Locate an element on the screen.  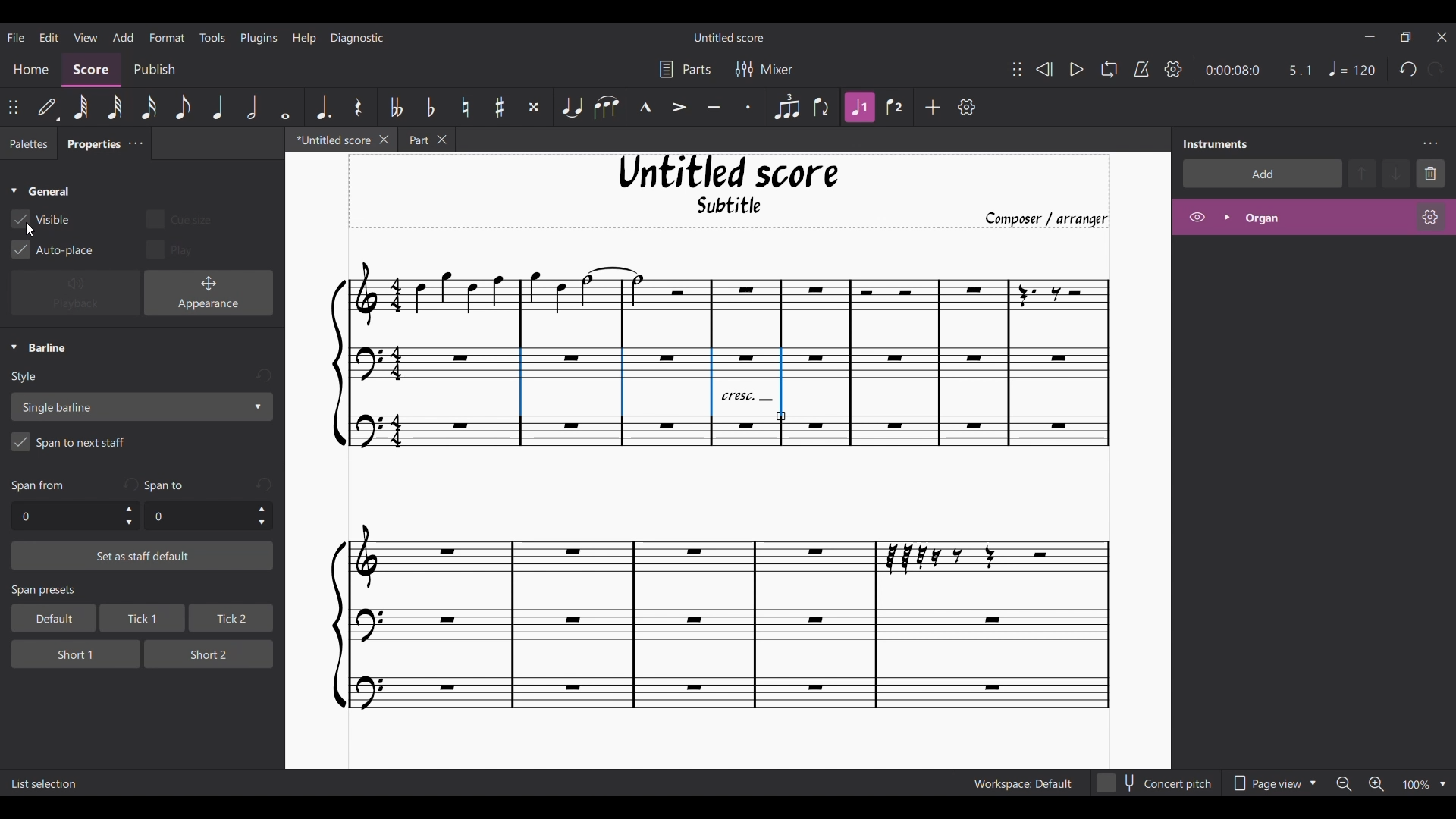
Mixer settings is located at coordinates (764, 69).